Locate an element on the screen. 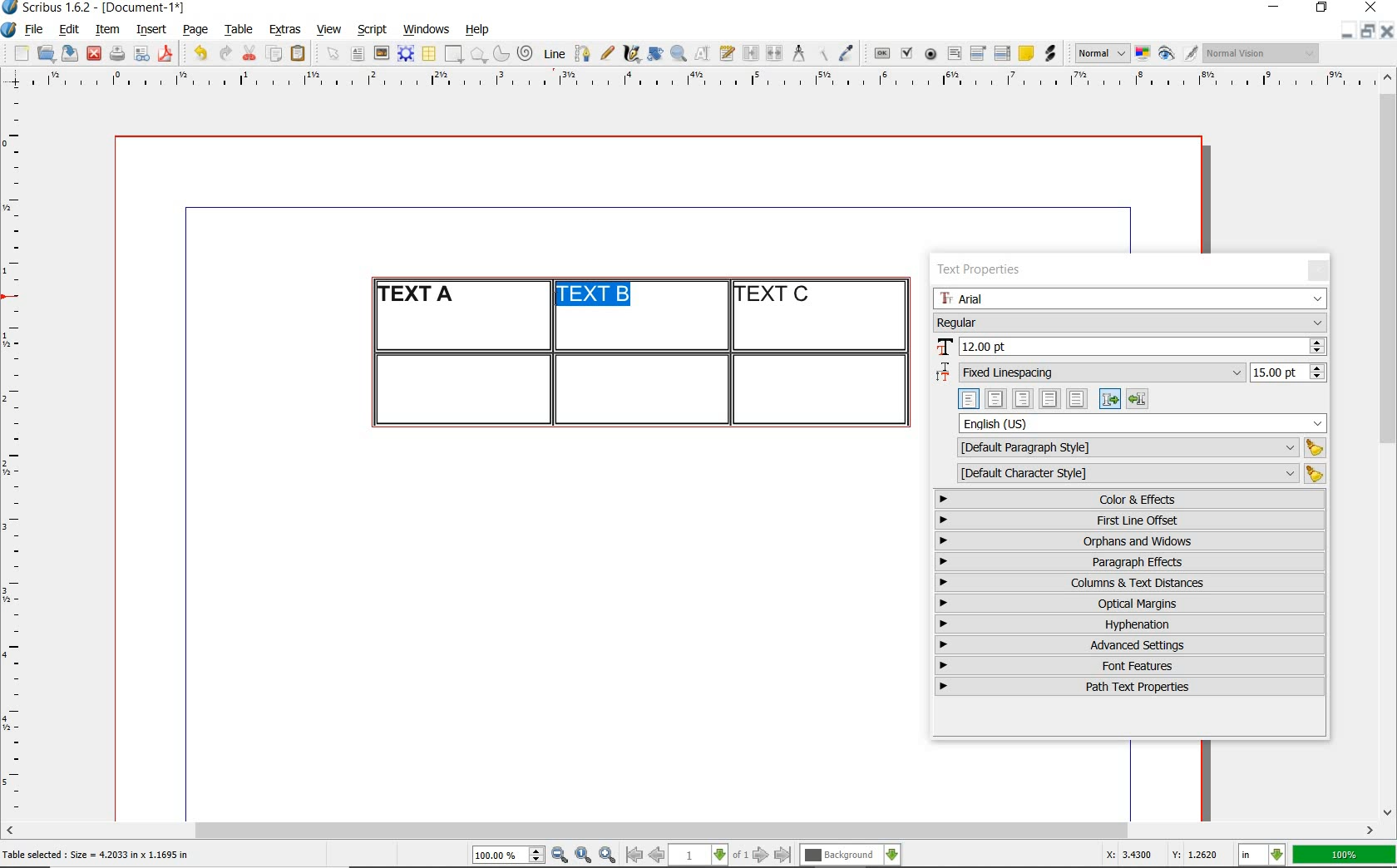  minimize is located at coordinates (1276, 8).